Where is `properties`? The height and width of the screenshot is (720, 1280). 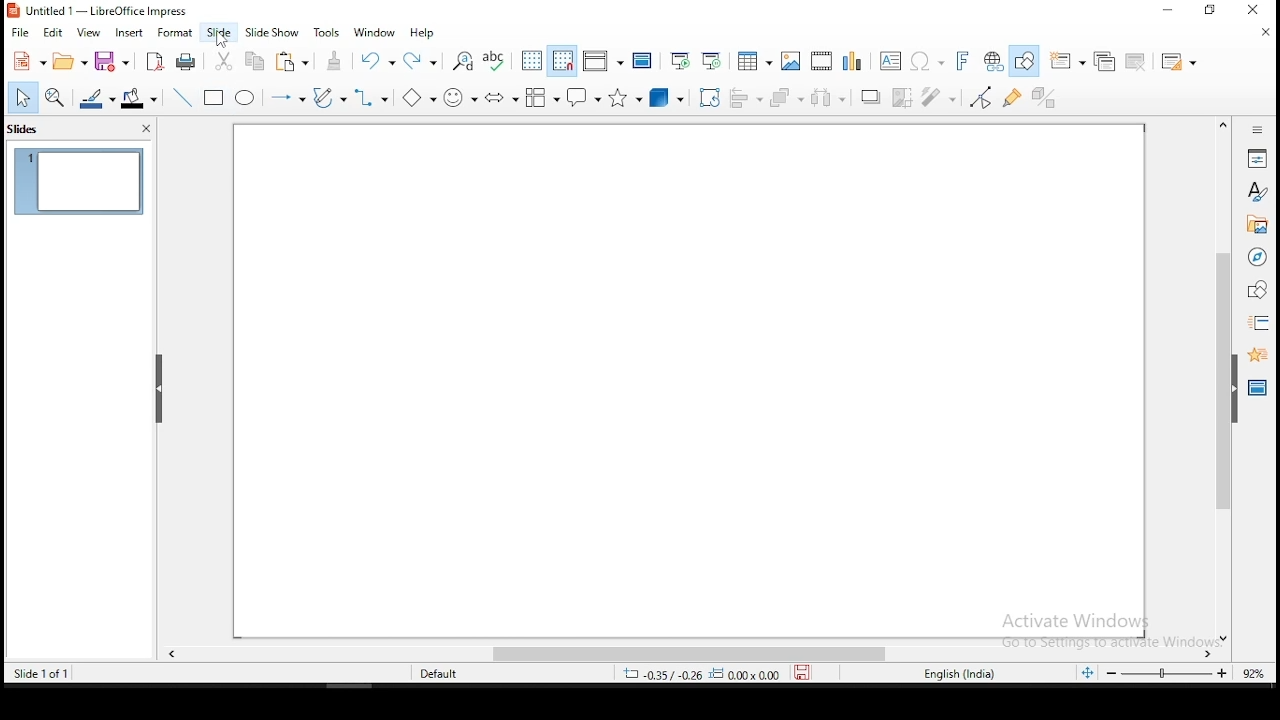
properties is located at coordinates (1257, 158).